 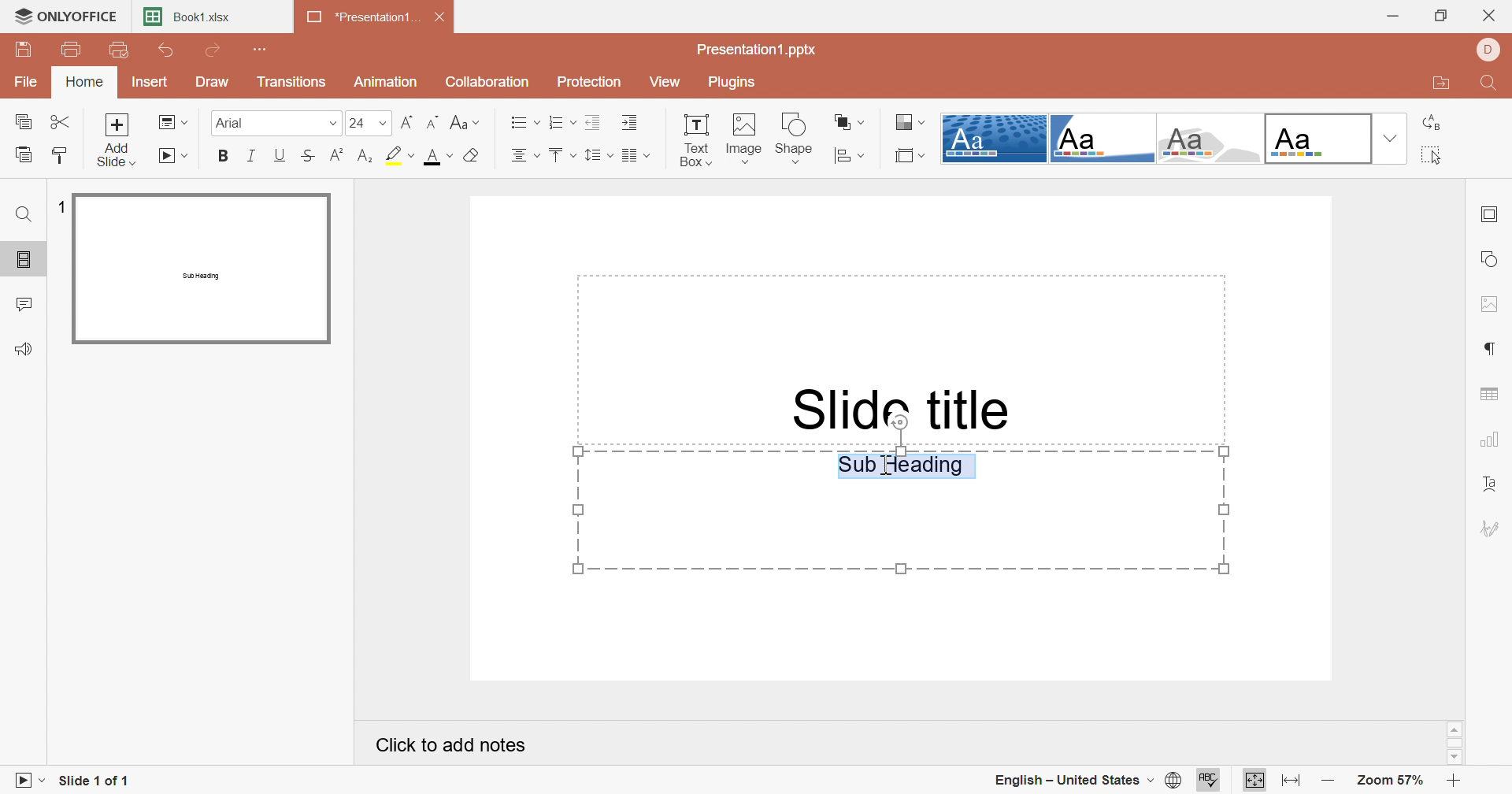 I want to click on Draw, so click(x=213, y=82).